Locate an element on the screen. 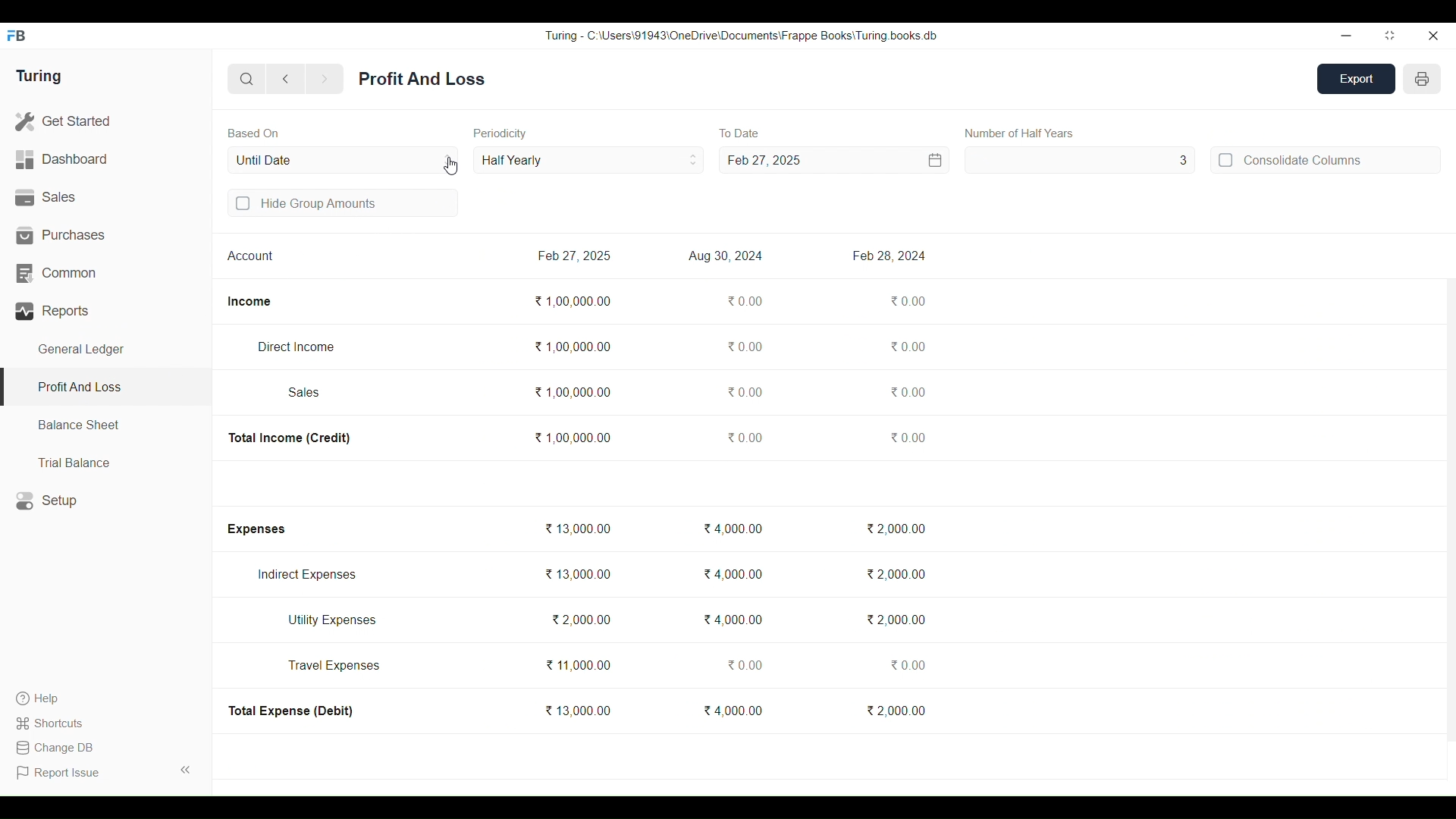 The image size is (1456, 819). Collapse is located at coordinates (186, 770).